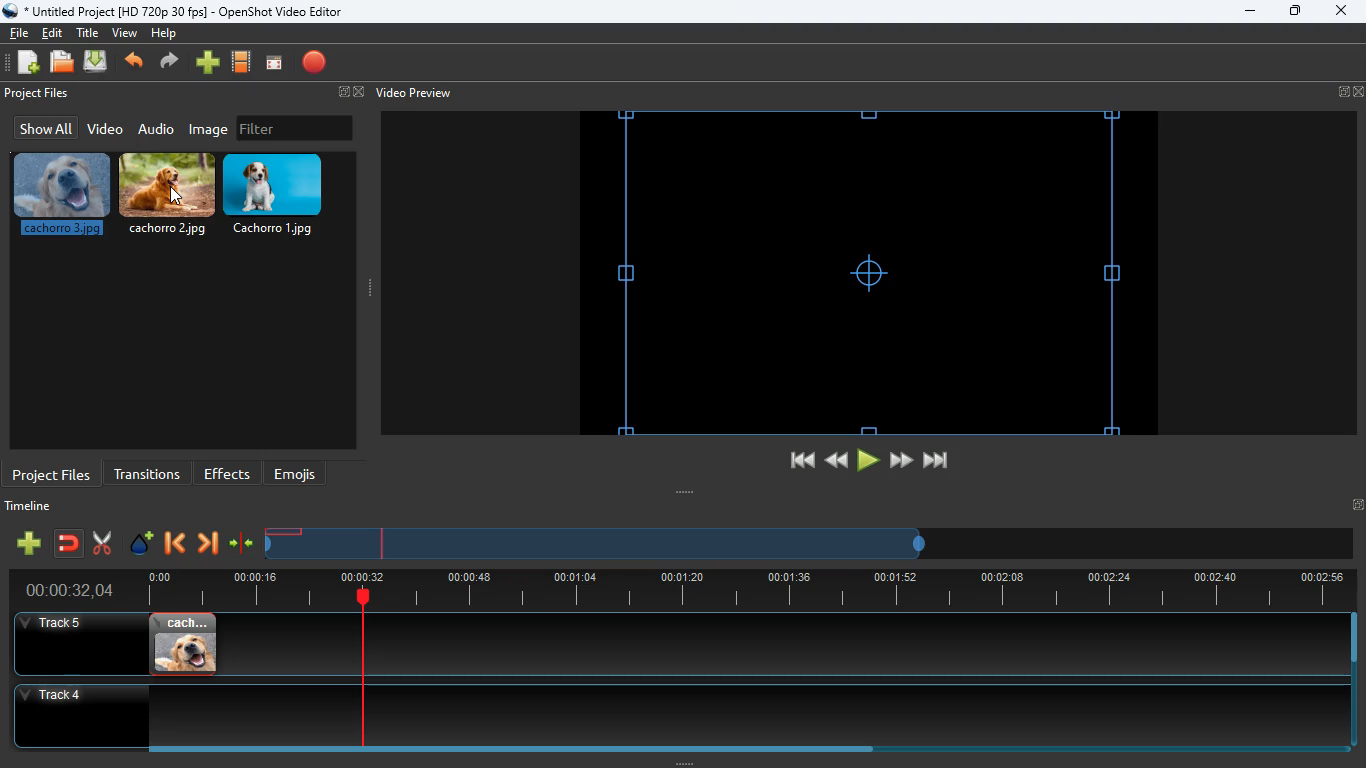 This screenshot has width=1366, height=768. What do you see at coordinates (207, 545) in the screenshot?
I see `forward` at bounding box center [207, 545].